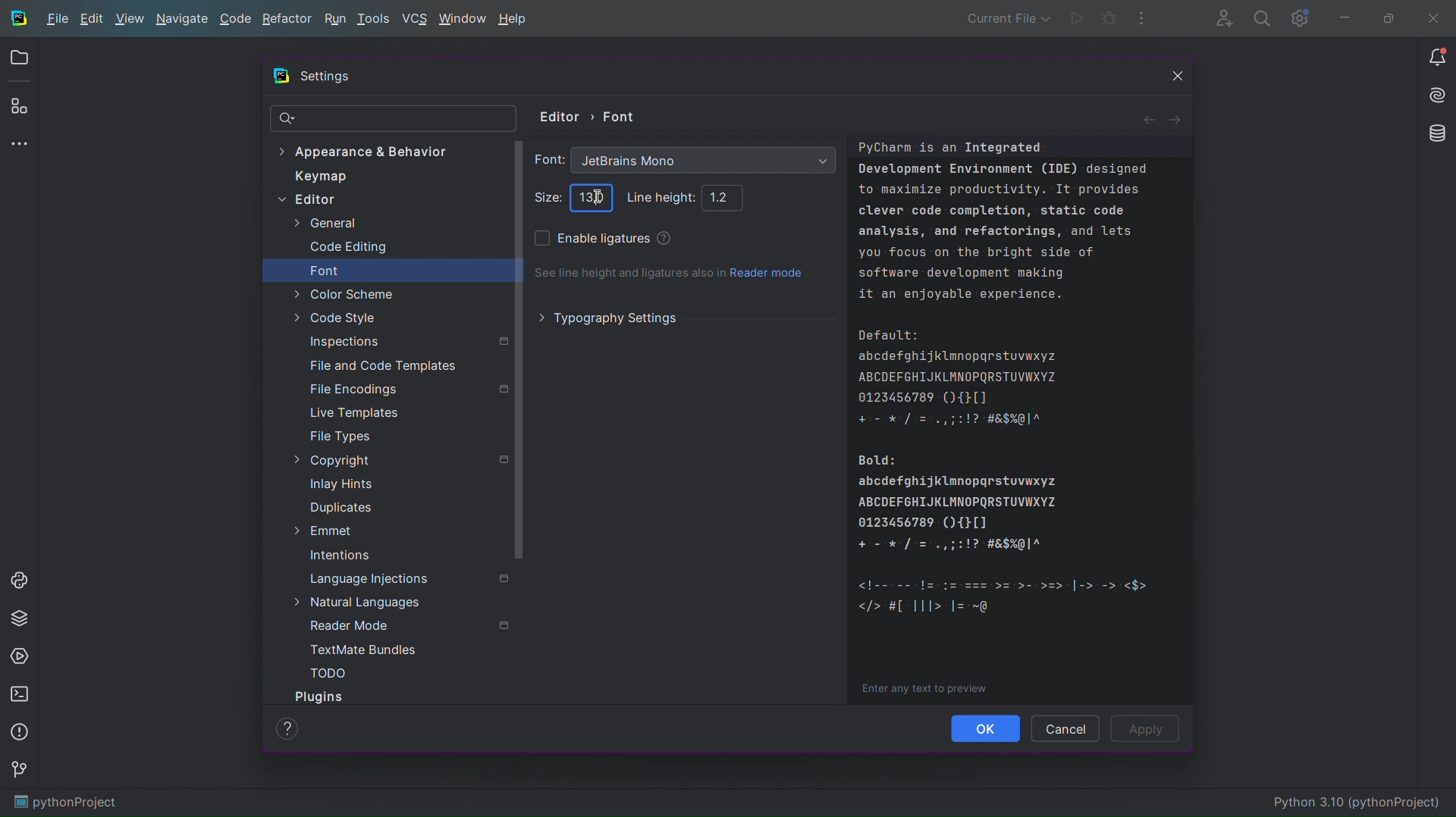 The width and height of the screenshot is (1456, 817). What do you see at coordinates (316, 201) in the screenshot?
I see `Editor` at bounding box center [316, 201].